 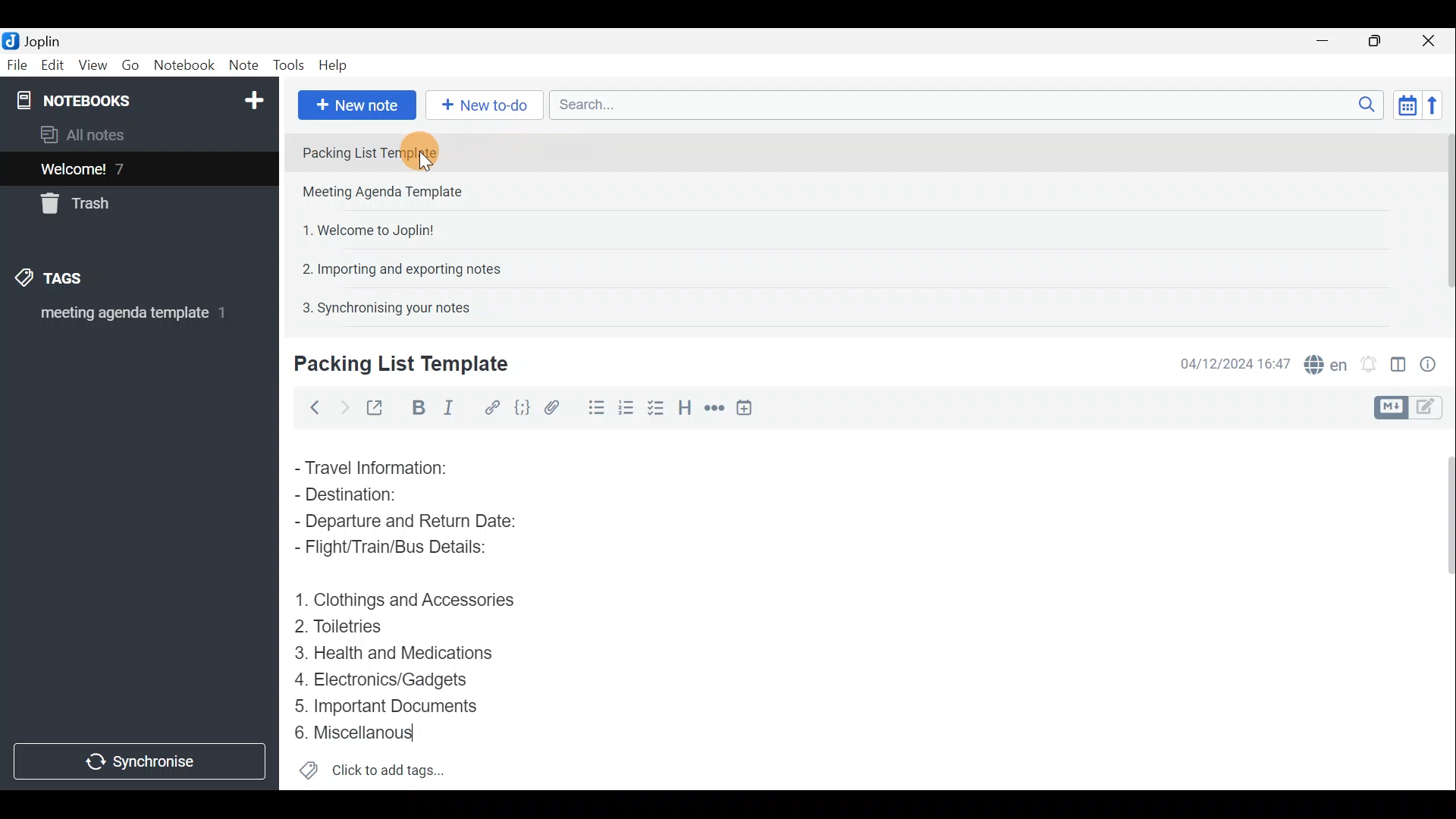 I want to click on View, so click(x=94, y=65).